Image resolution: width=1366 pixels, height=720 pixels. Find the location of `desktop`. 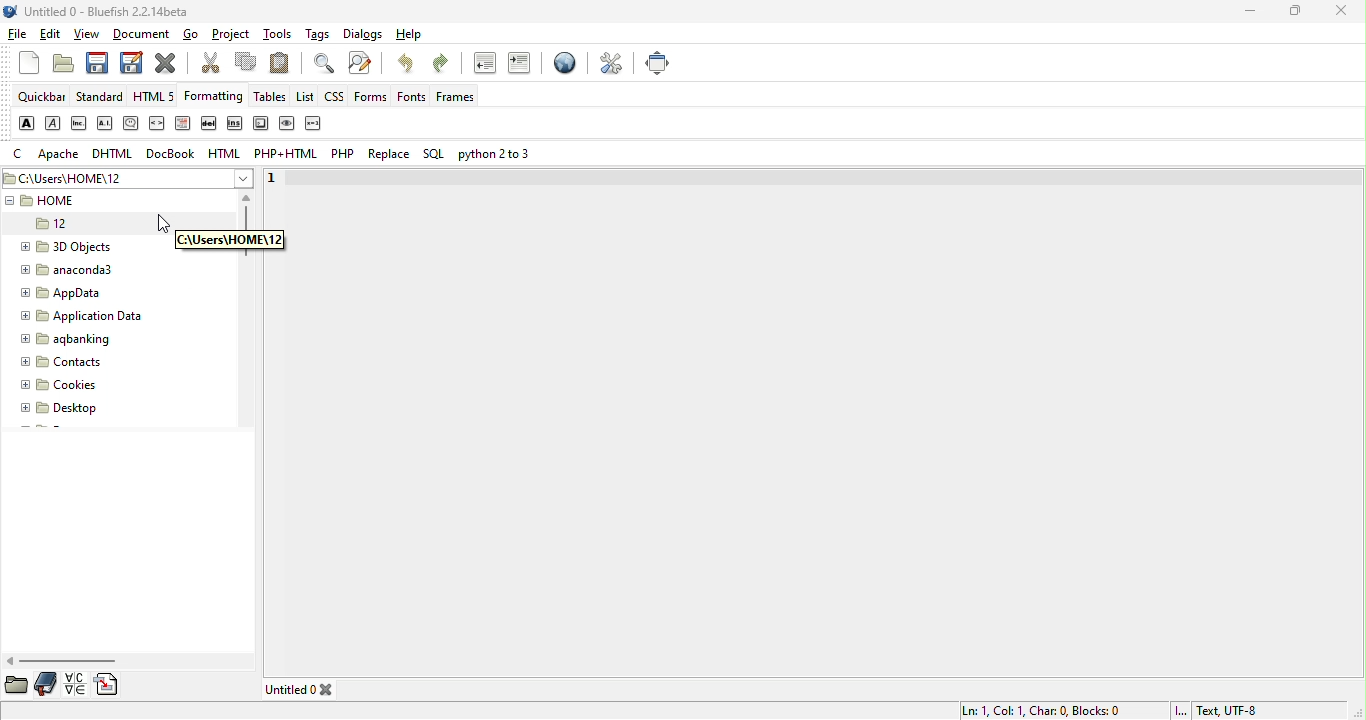

desktop is located at coordinates (66, 407).